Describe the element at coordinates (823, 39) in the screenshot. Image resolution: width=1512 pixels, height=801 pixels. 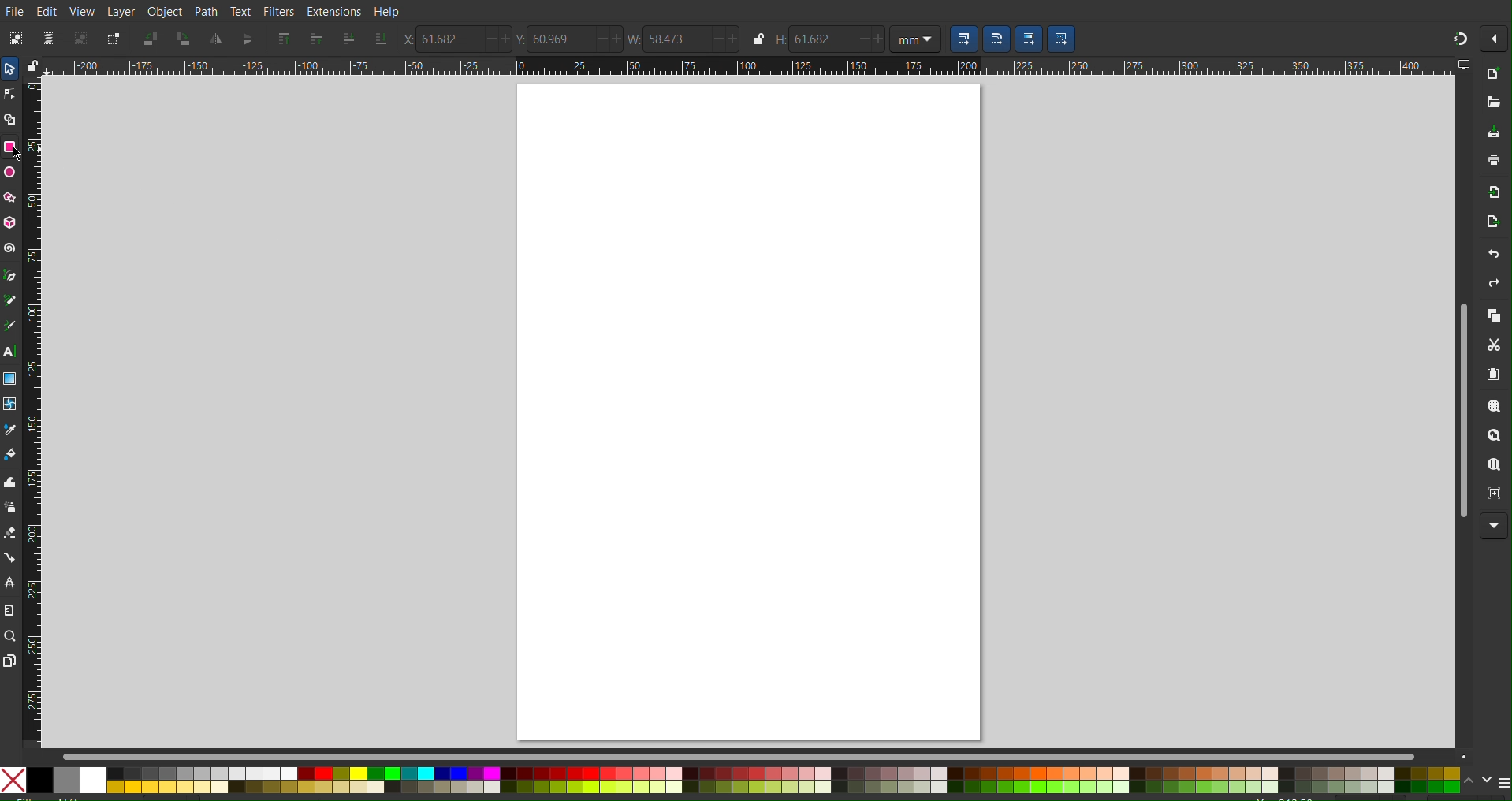
I see `61.682` at that location.